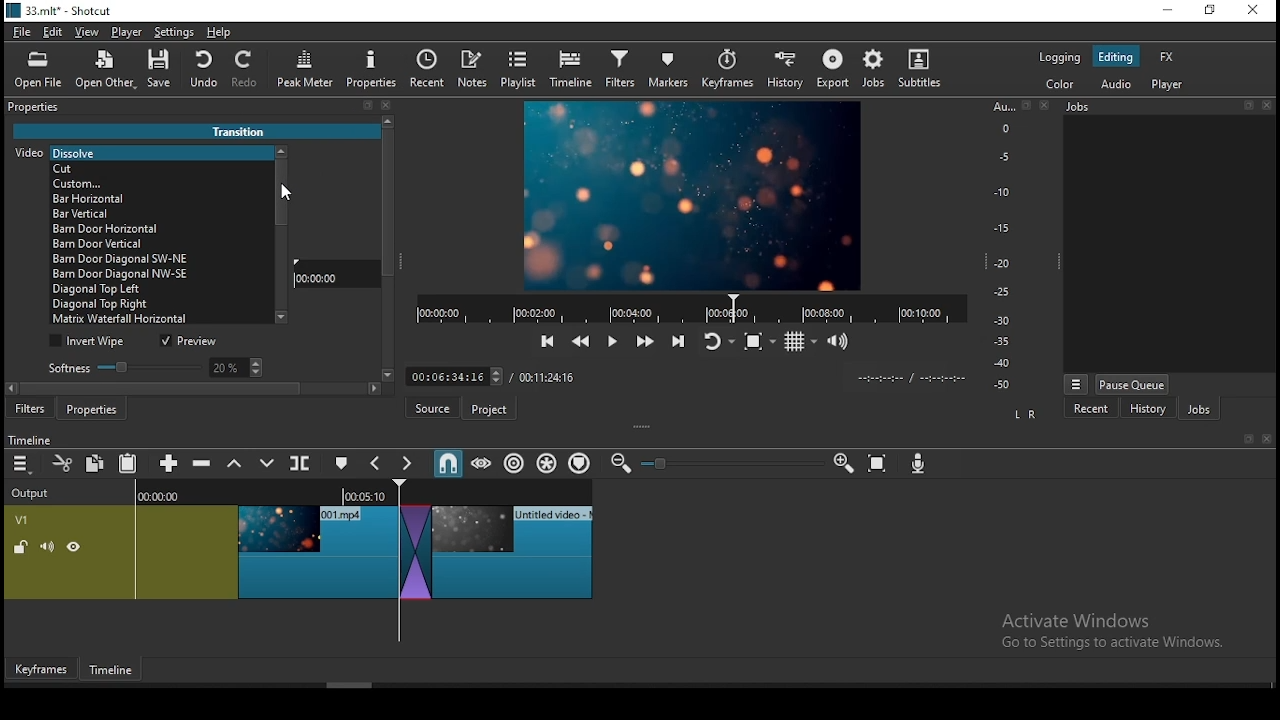 The width and height of the screenshot is (1280, 720). I want to click on Jobs, so click(1086, 110).